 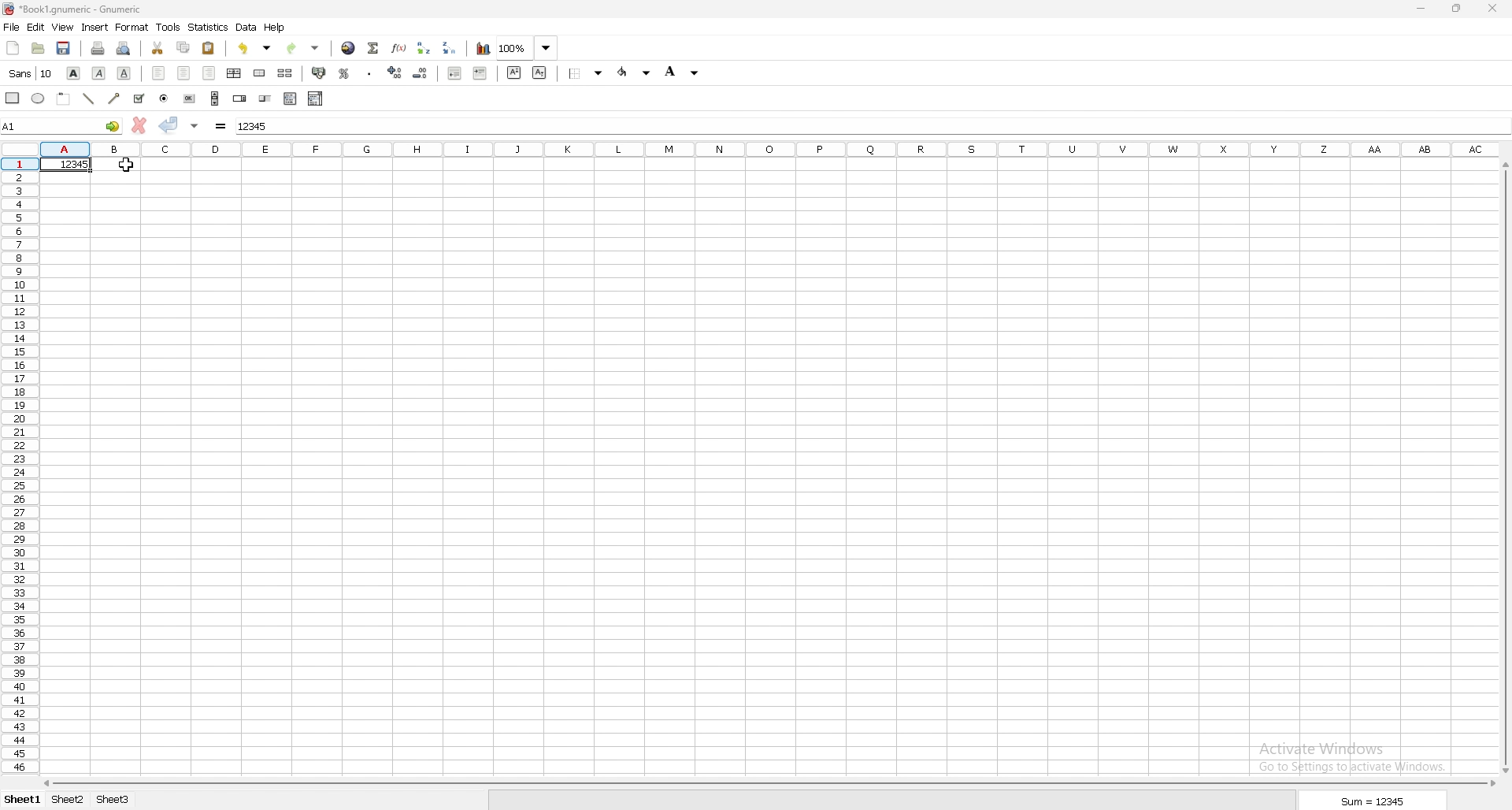 What do you see at coordinates (169, 27) in the screenshot?
I see `tools` at bounding box center [169, 27].